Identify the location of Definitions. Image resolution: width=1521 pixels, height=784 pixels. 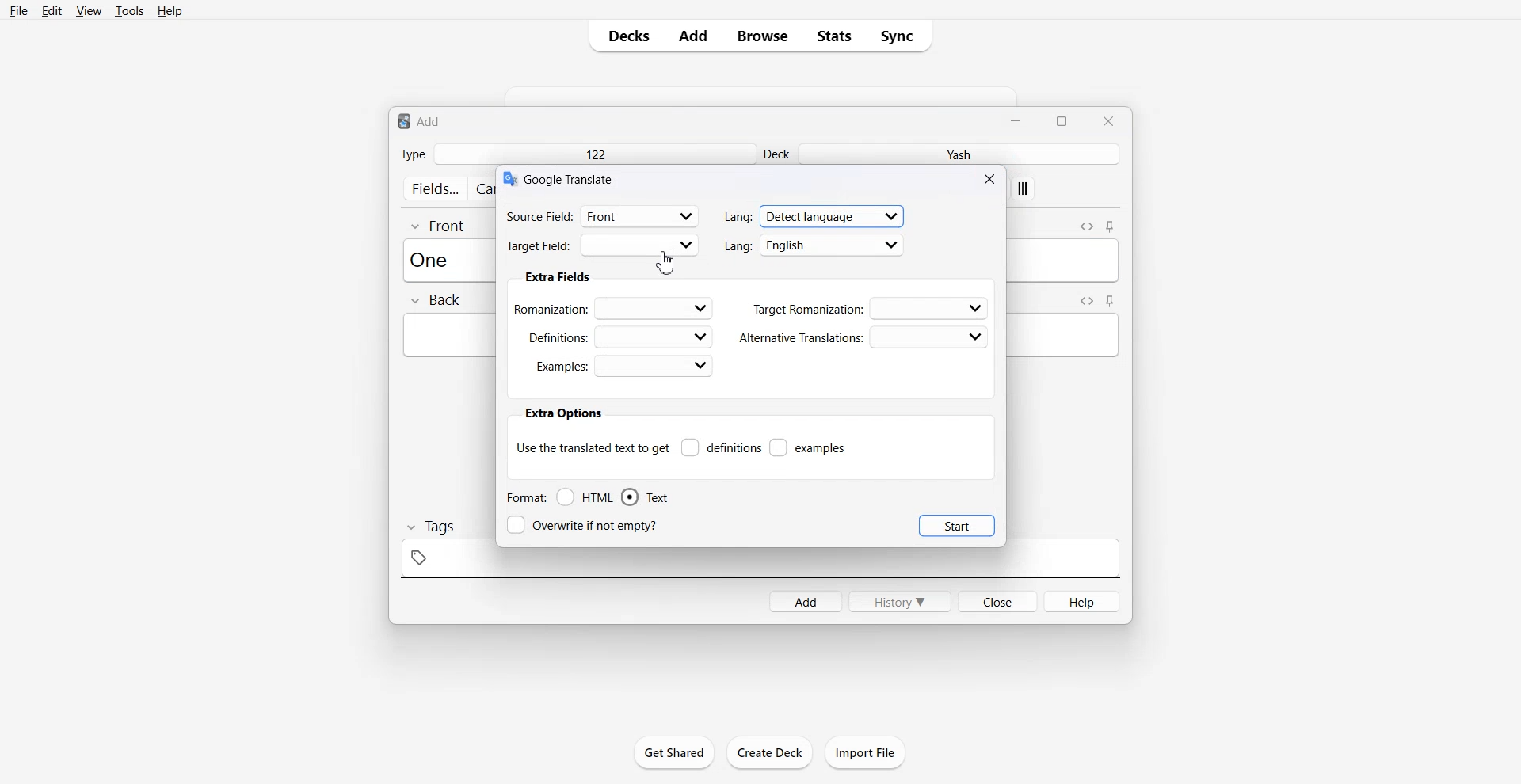
(721, 447).